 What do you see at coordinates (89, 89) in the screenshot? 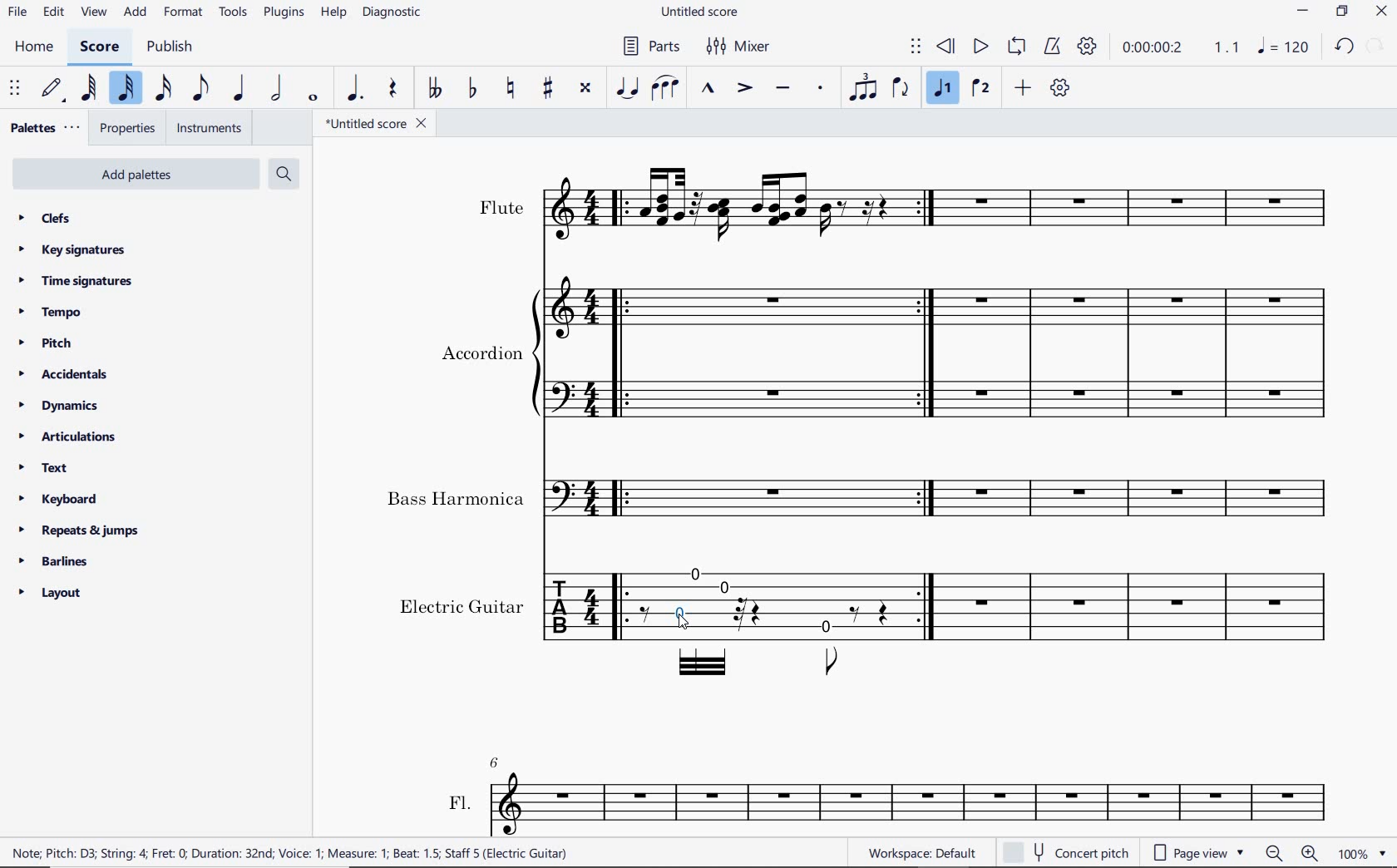
I see `64th note` at bounding box center [89, 89].